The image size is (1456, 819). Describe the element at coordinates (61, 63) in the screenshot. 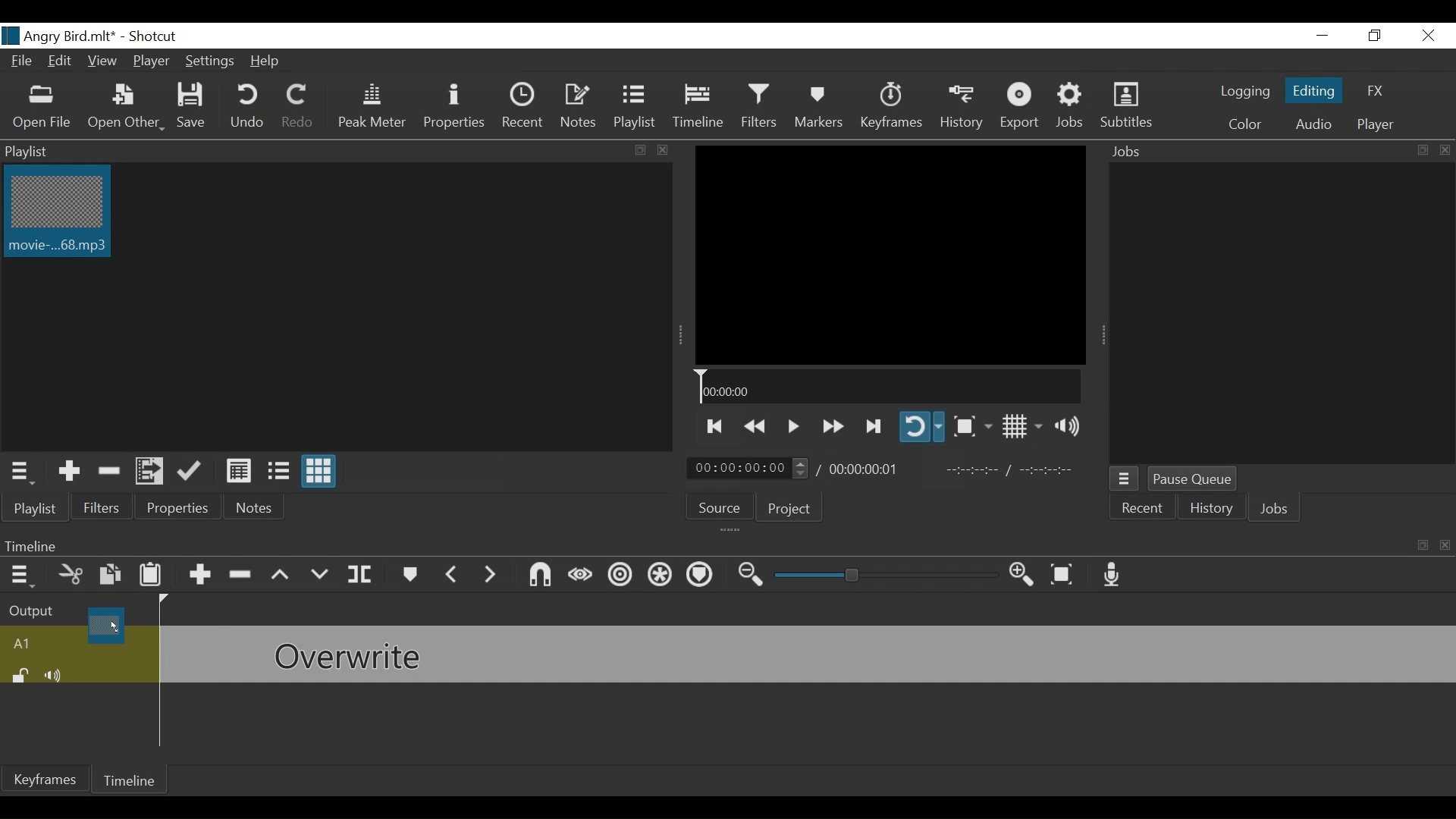

I see `Edit` at that location.